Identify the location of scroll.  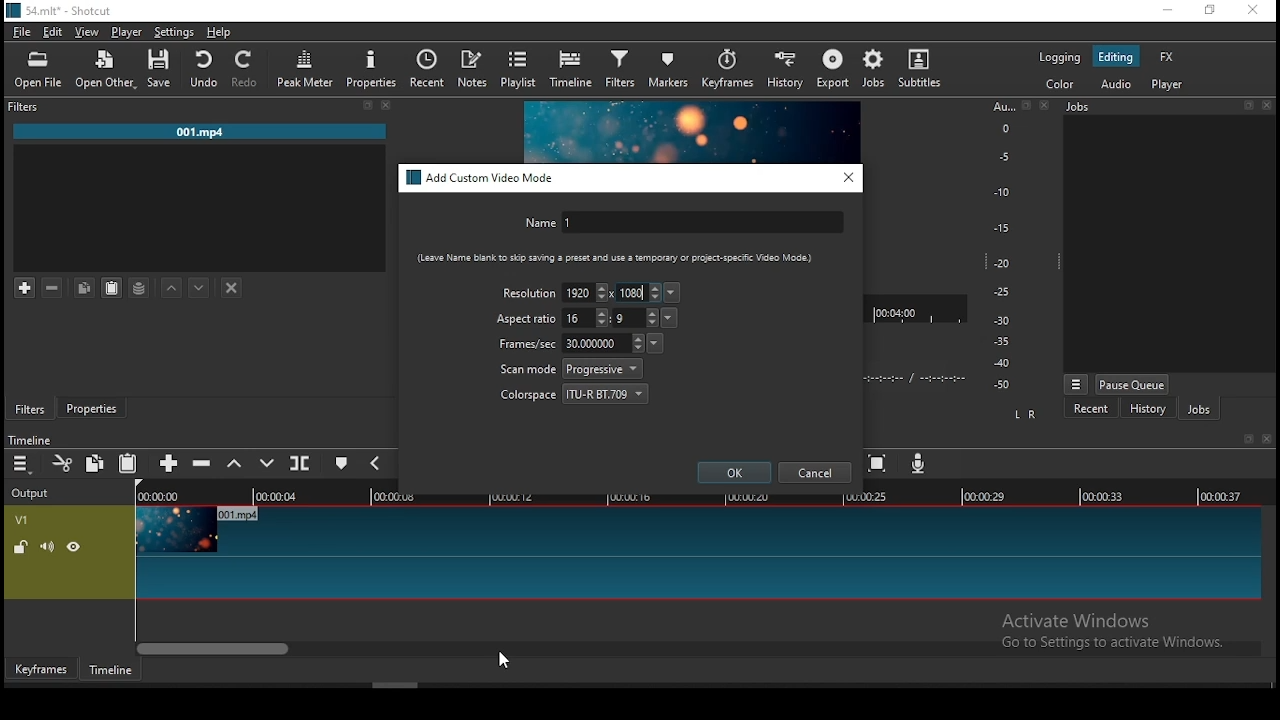
(395, 685).